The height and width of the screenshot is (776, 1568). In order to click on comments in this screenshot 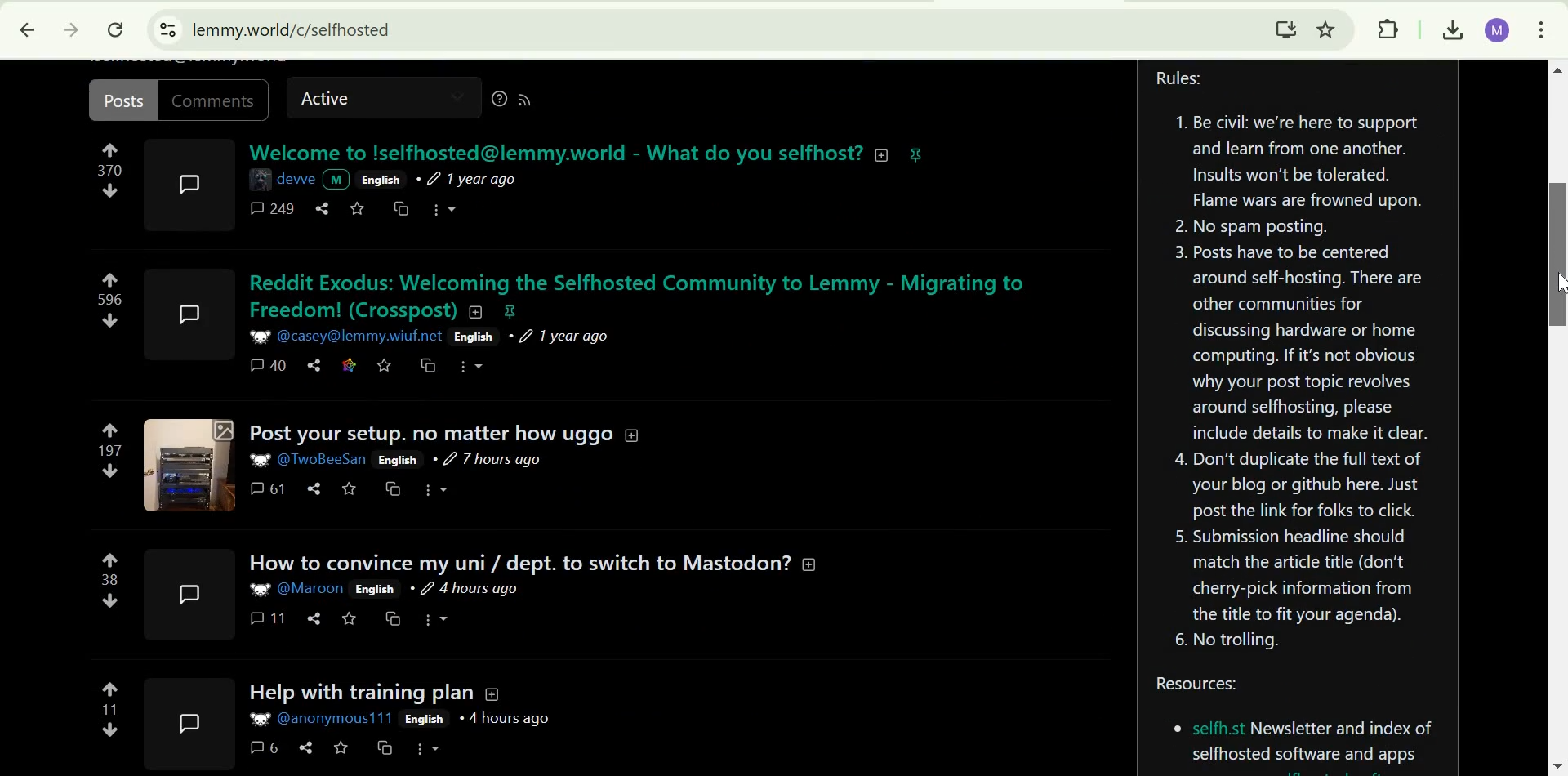, I will do `click(218, 100)`.